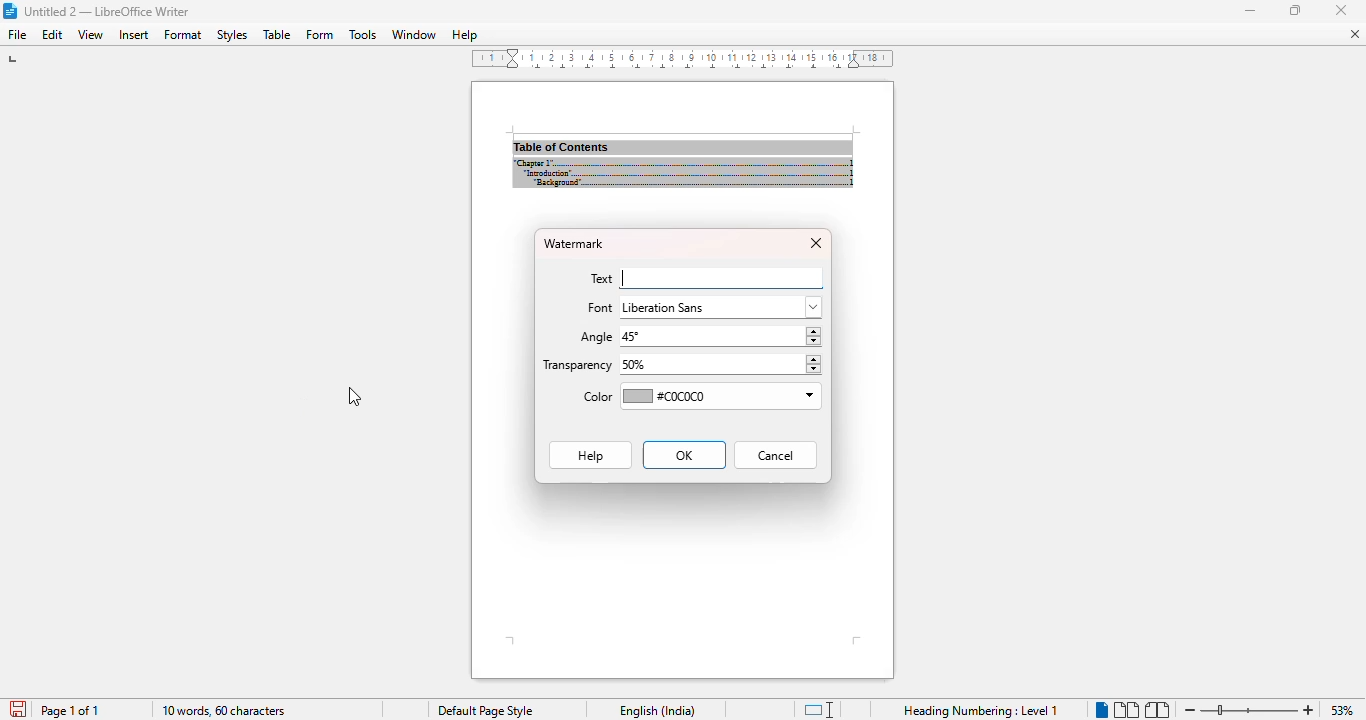 The image size is (1366, 720). I want to click on close, so click(816, 243).